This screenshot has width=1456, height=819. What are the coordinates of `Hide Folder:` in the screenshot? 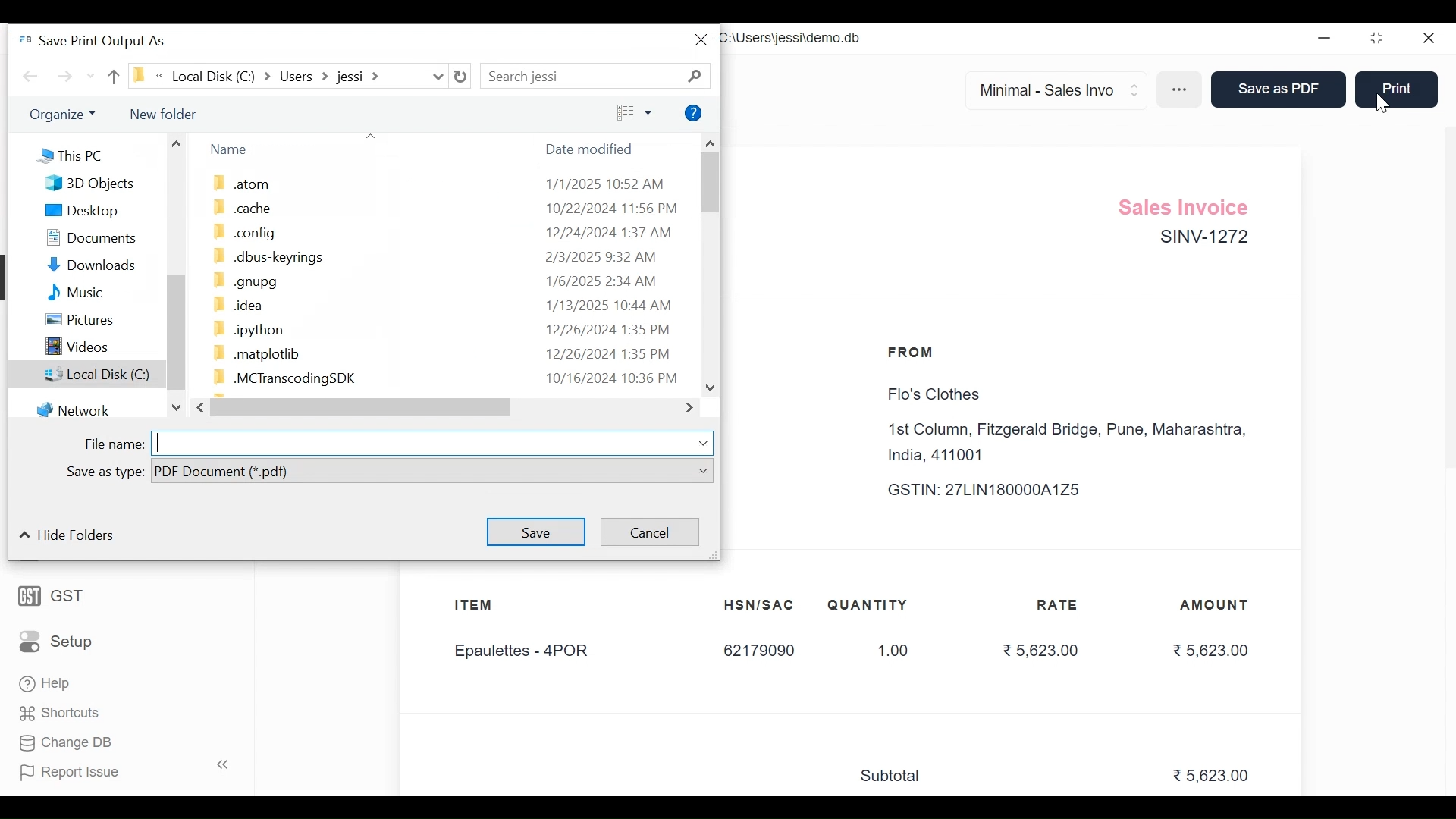 It's located at (73, 536).